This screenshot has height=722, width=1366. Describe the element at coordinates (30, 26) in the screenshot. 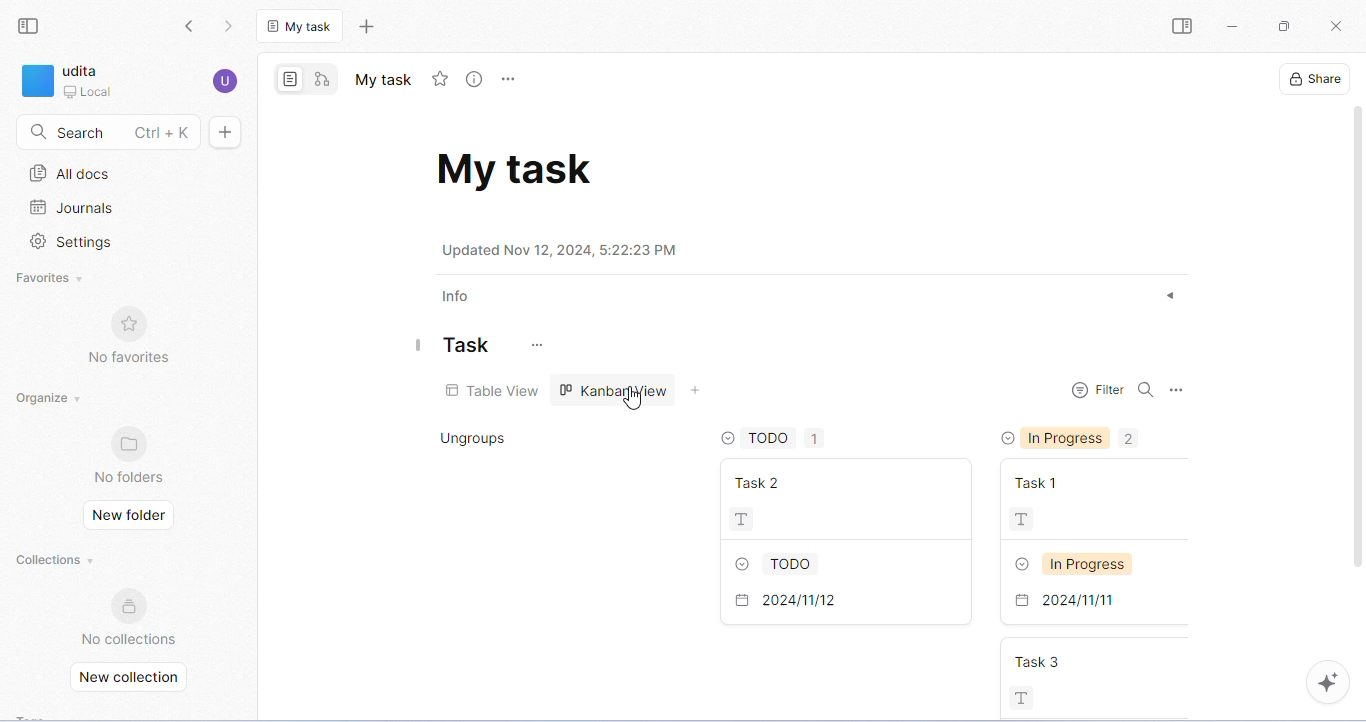

I see `collapse side bar` at that location.